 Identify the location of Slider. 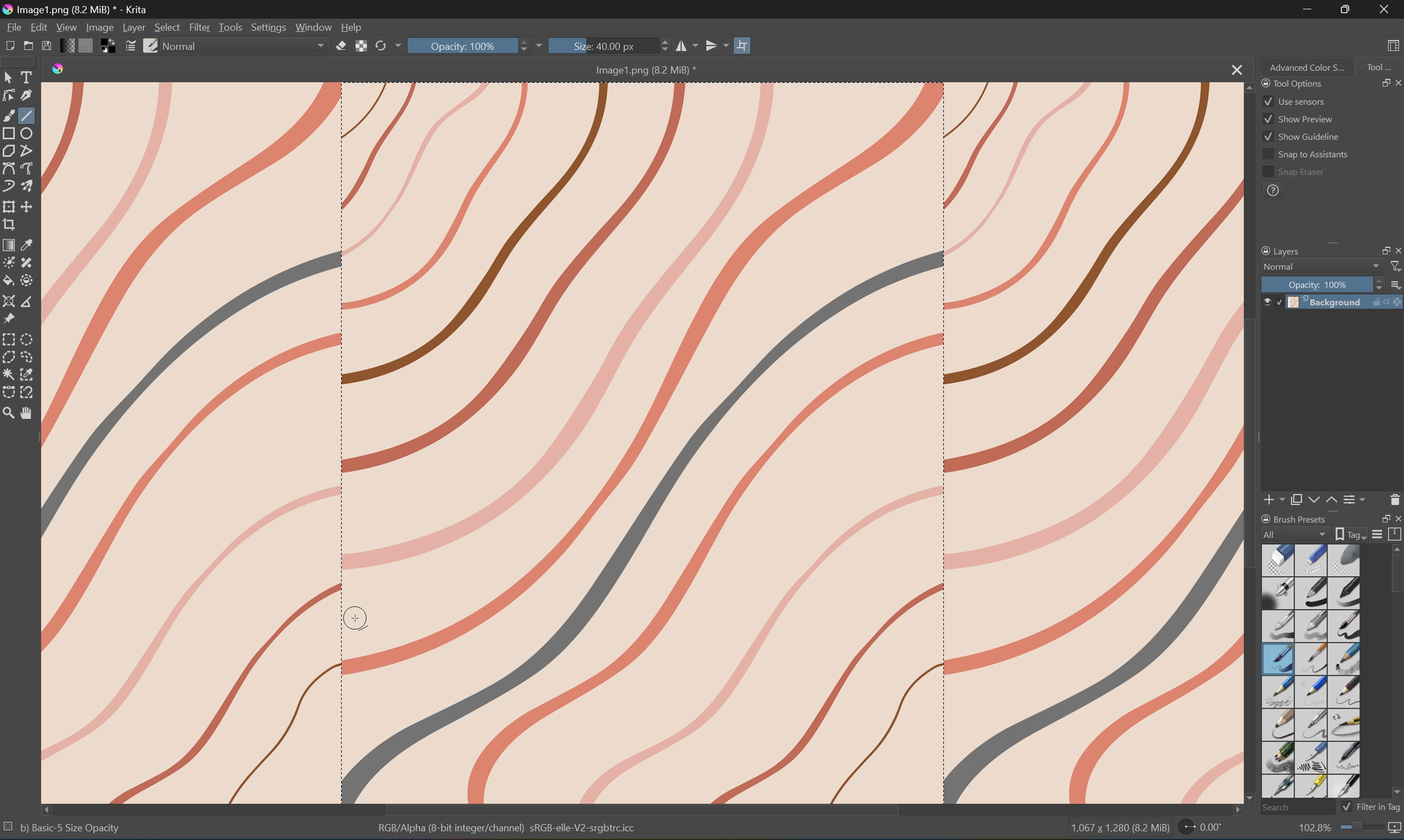
(1362, 827).